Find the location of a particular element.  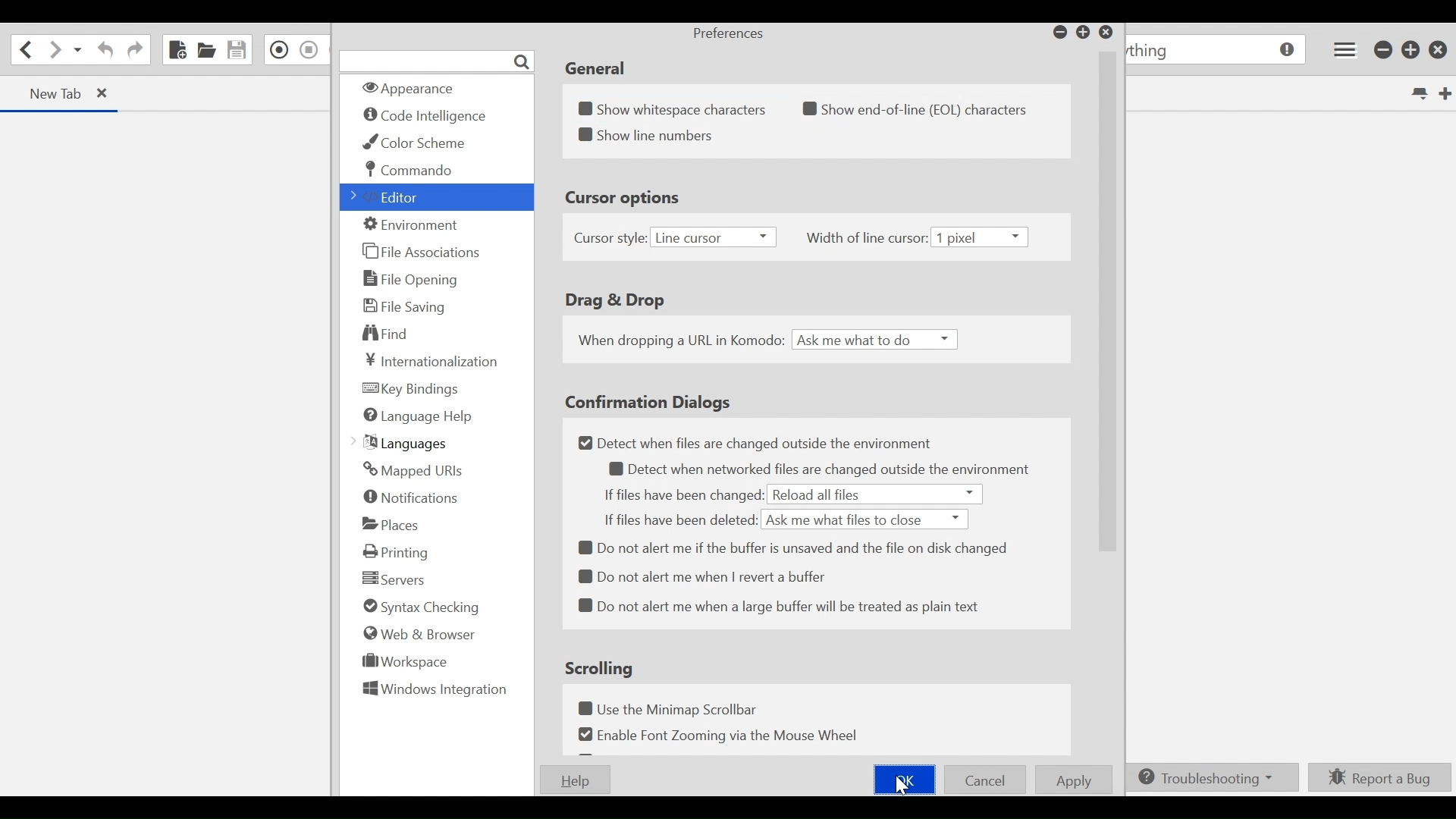

Appearance is located at coordinates (418, 89).